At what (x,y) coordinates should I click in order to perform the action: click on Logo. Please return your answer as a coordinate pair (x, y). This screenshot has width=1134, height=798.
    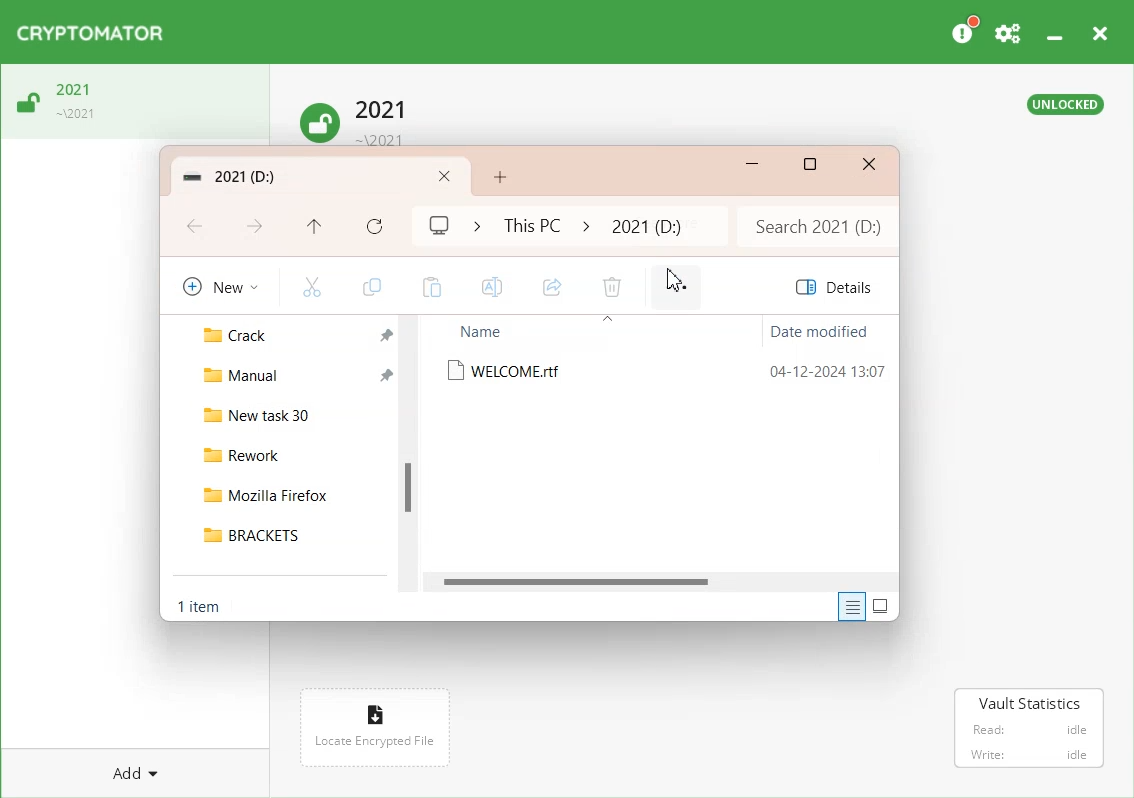
    Looking at the image, I should click on (90, 33).